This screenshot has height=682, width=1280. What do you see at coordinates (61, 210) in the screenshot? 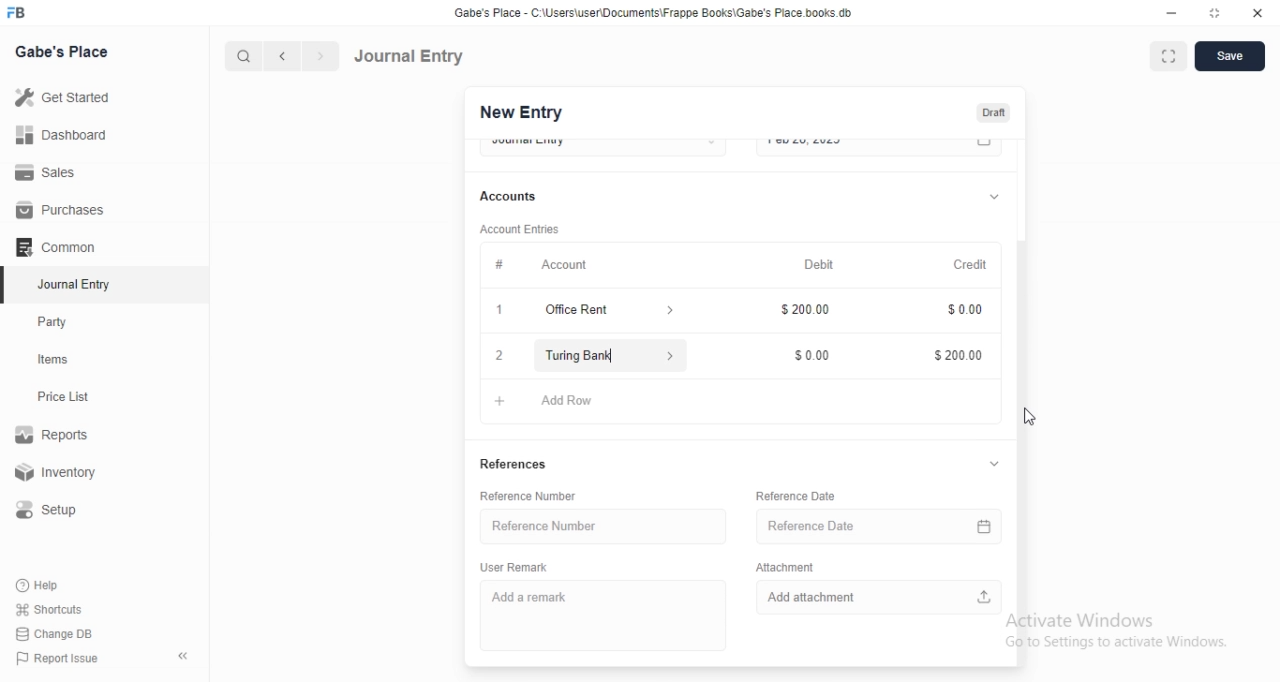
I see `Purchases` at bounding box center [61, 210].